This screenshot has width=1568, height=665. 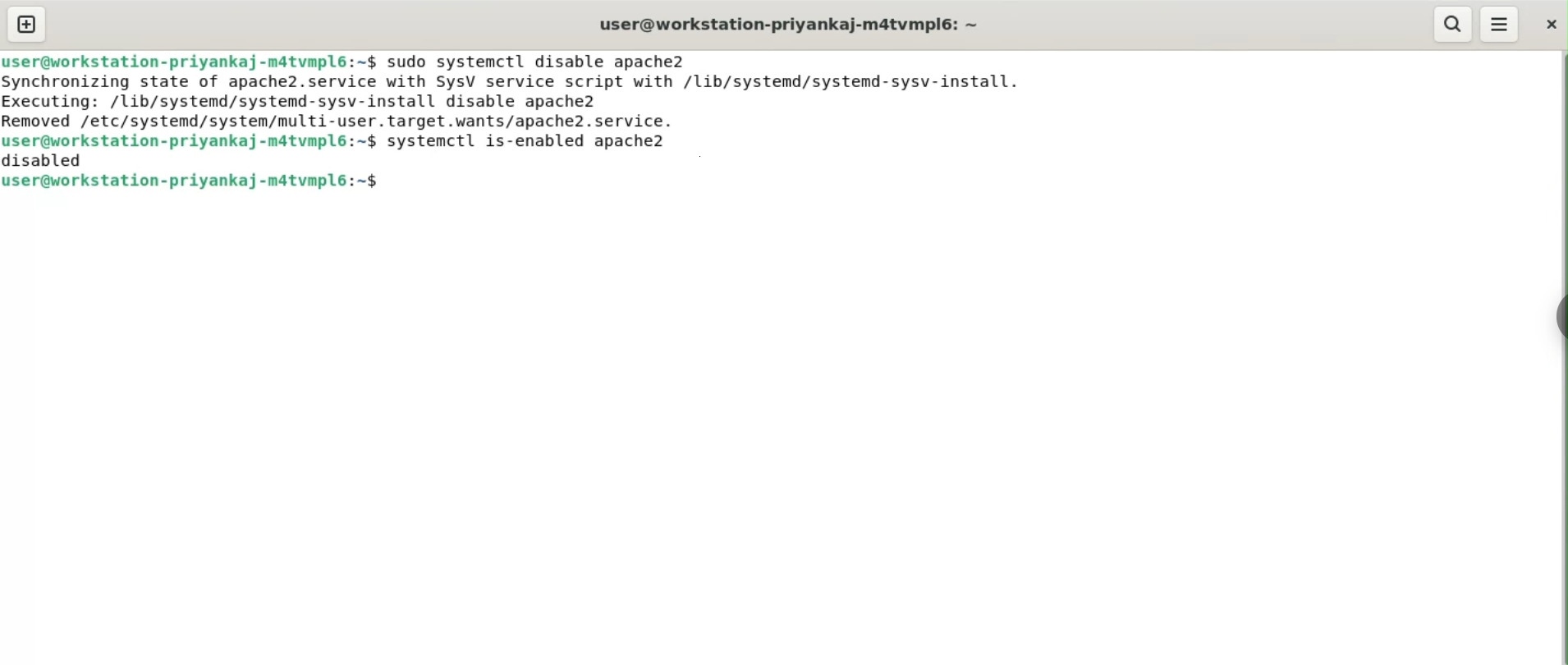 What do you see at coordinates (1546, 316) in the screenshot?
I see `Toggle Button` at bounding box center [1546, 316].